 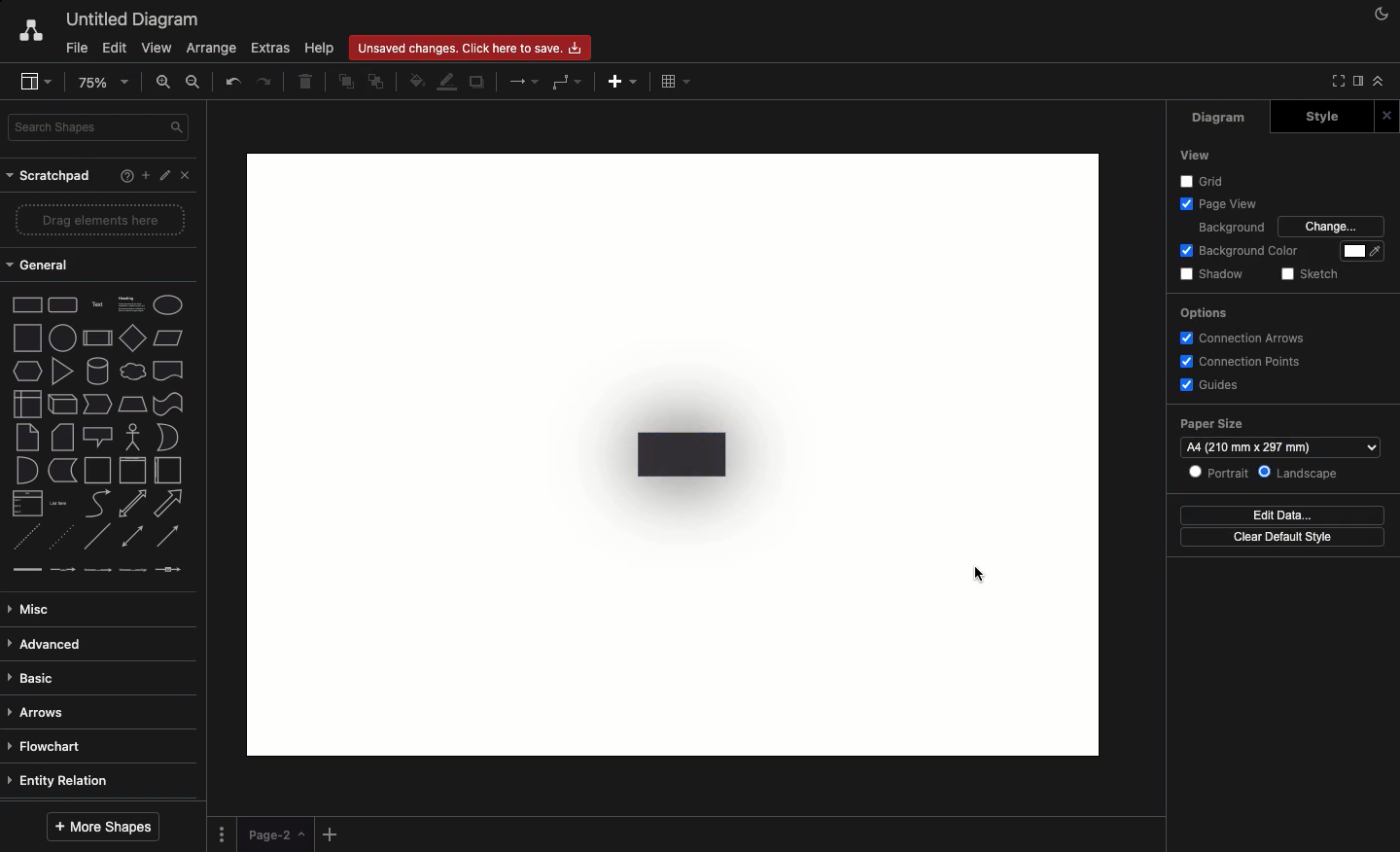 I want to click on callout, so click(x=99, y=436).